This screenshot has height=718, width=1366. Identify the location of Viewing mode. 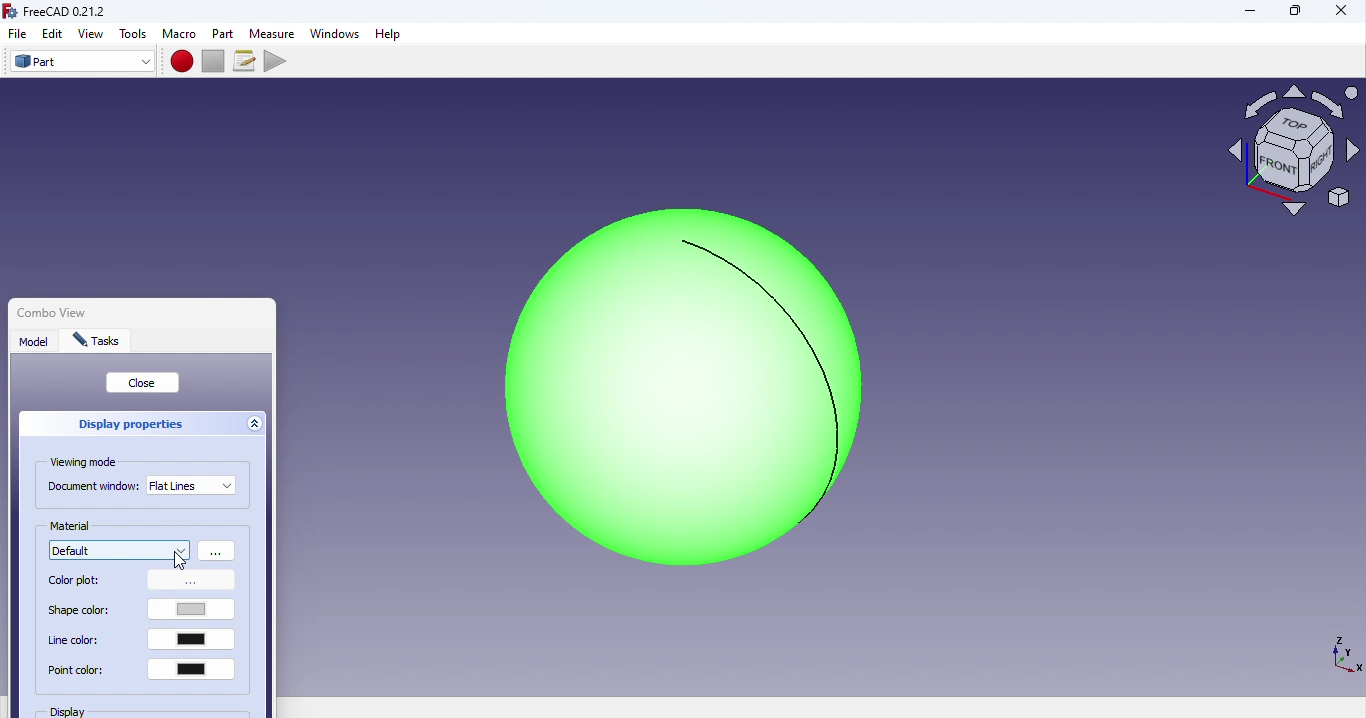
(88, 463).